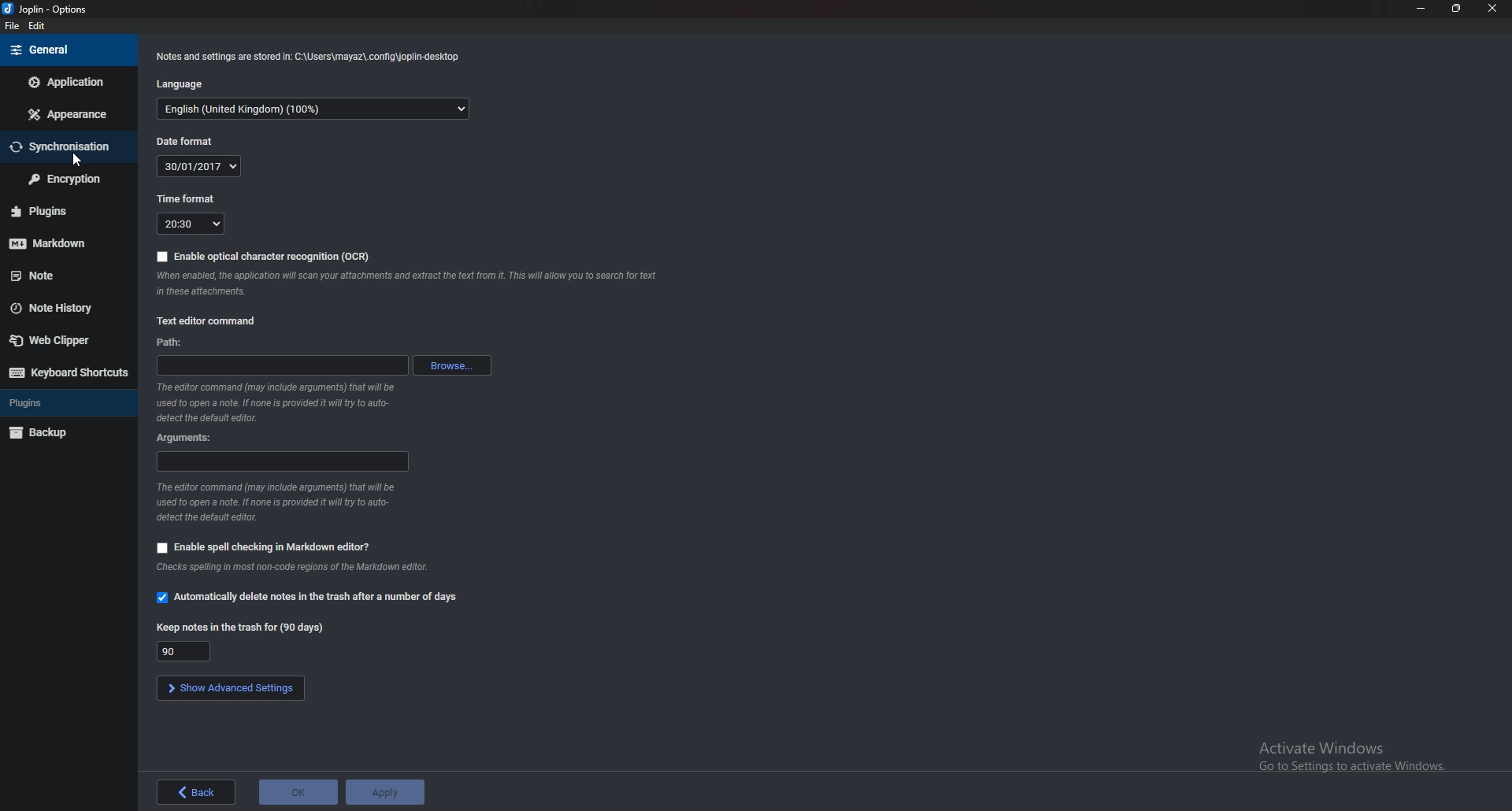  What do you see at coordinates (1458, 9) in the screenshot?
I see `resize` at bounding box center [1458, 9].